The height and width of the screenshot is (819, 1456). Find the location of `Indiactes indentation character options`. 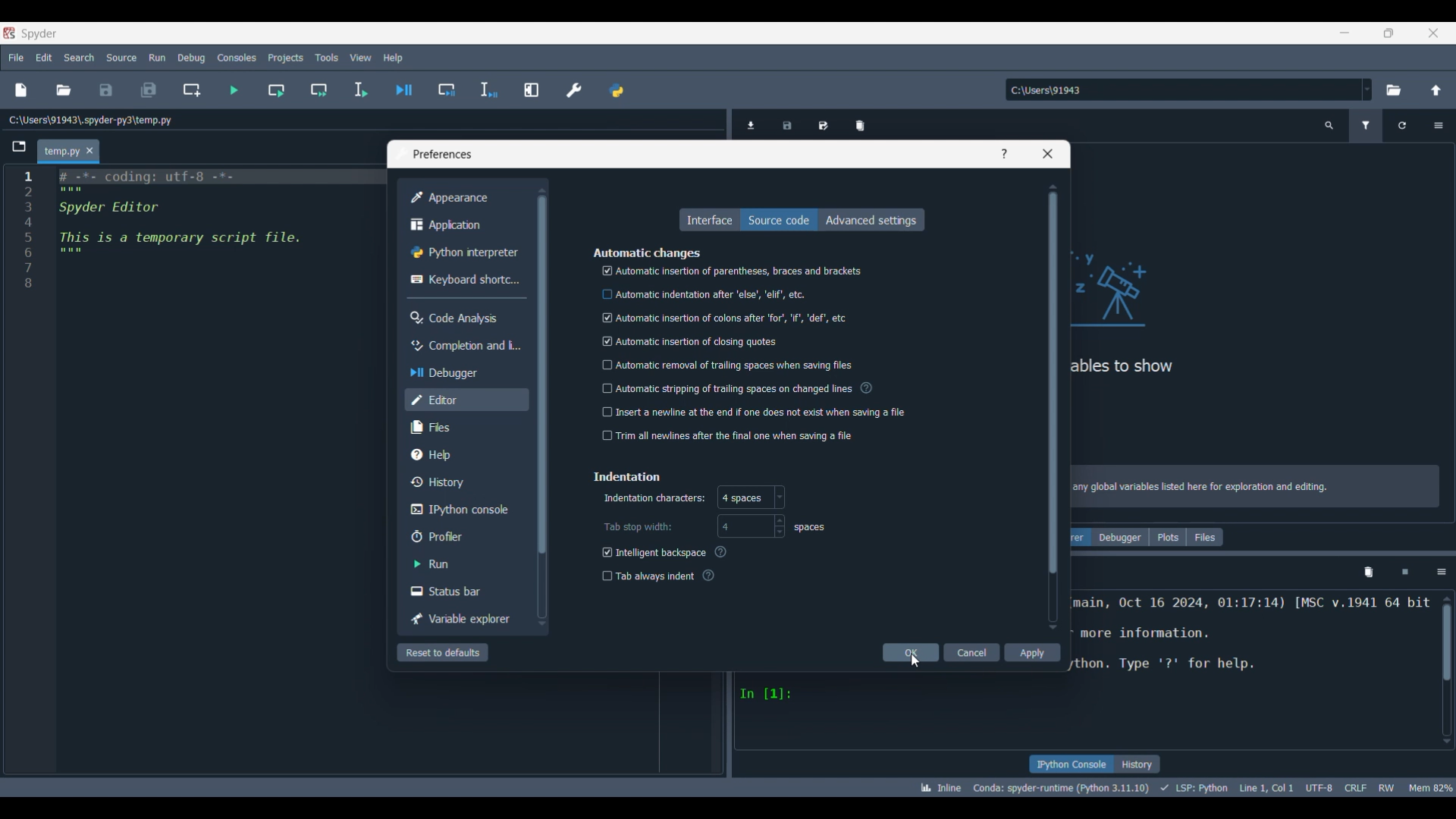

Indiactes indentation character options is located at coordinates (654, 498).